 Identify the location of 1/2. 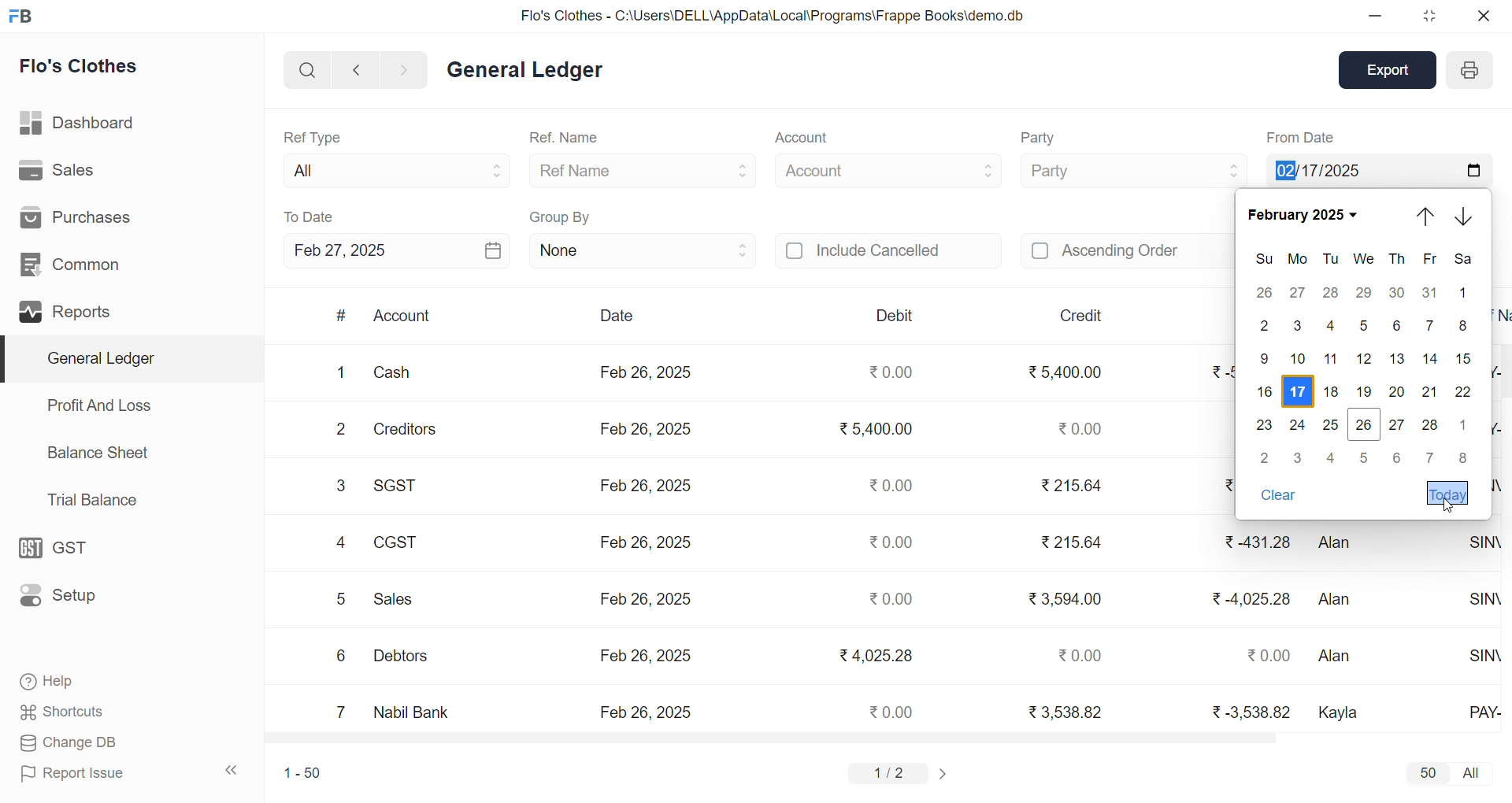
(892, 772).